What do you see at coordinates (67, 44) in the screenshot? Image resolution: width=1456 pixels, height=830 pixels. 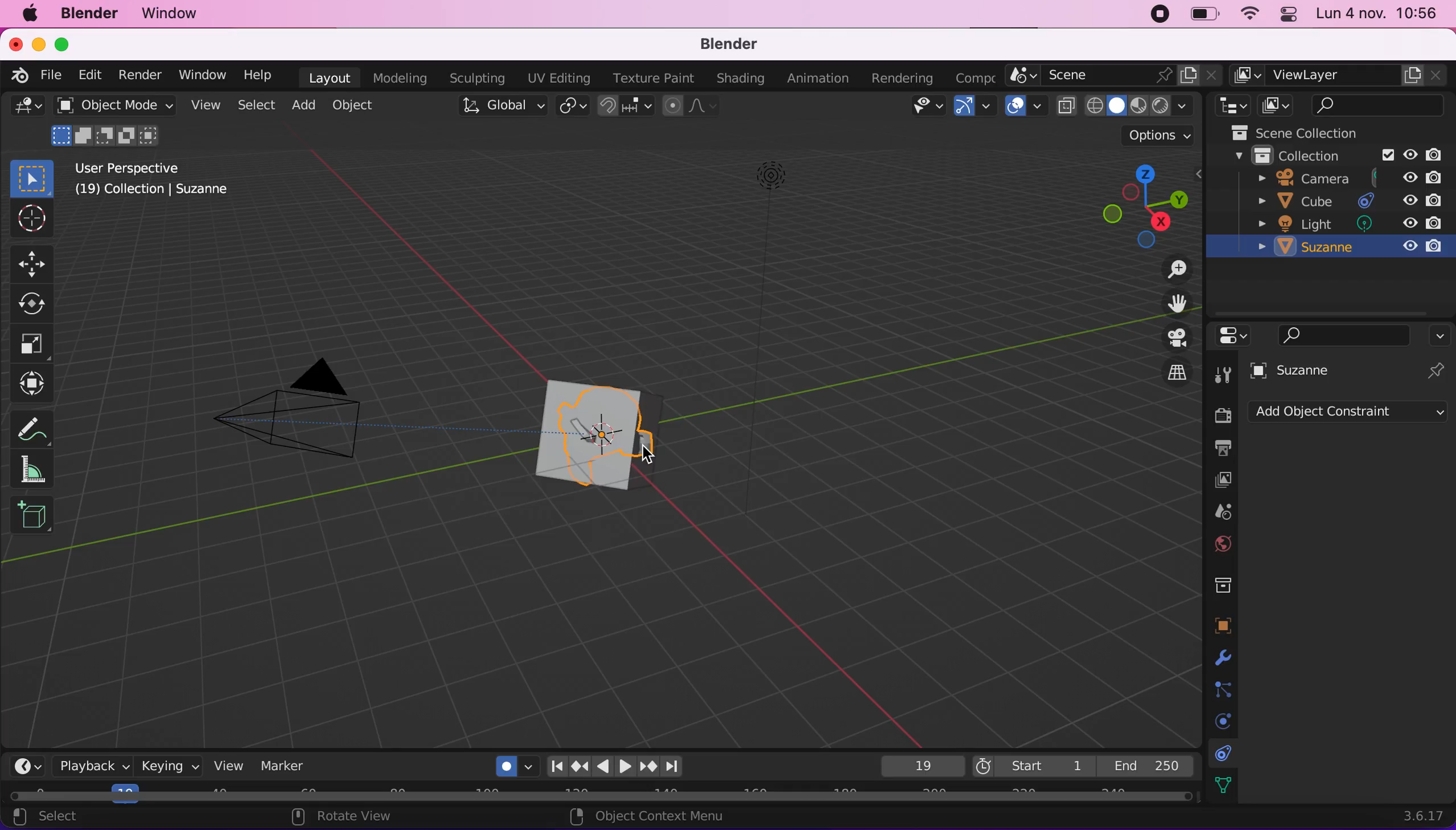 I see `maximize` at bounding box center [67, 44].